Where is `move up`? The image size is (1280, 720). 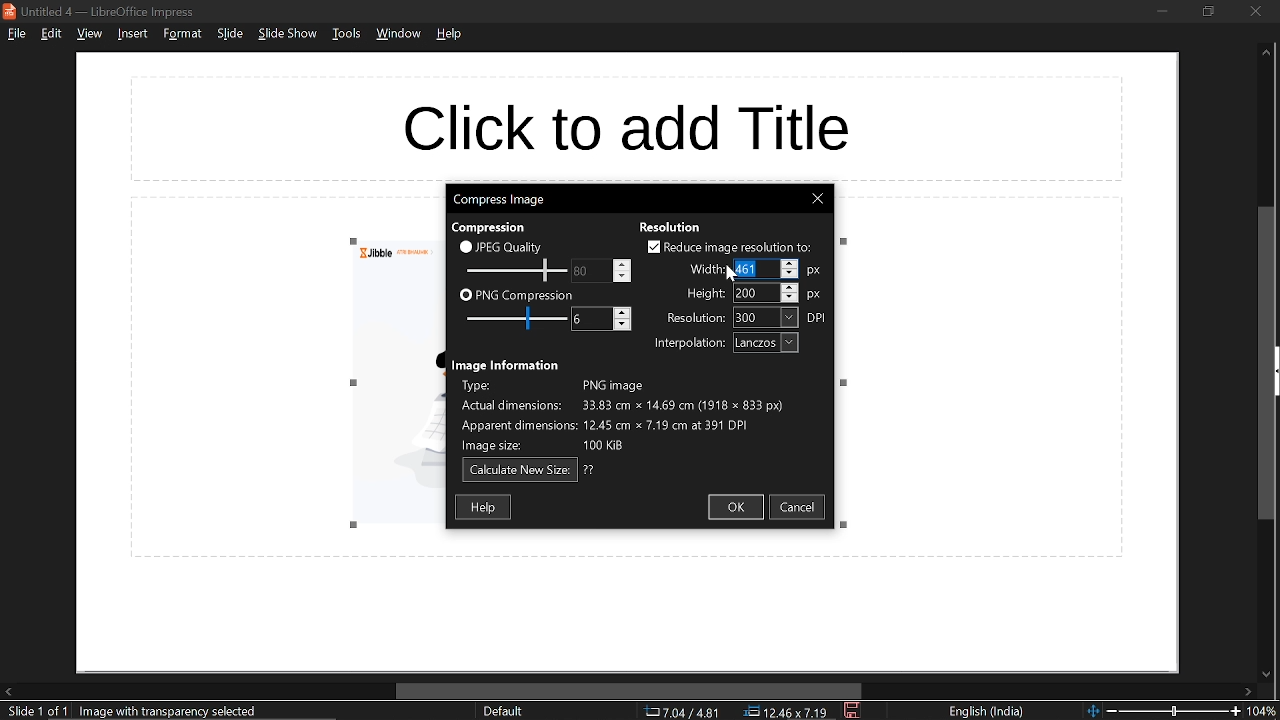
move up is located at coordinates (1266, 56).